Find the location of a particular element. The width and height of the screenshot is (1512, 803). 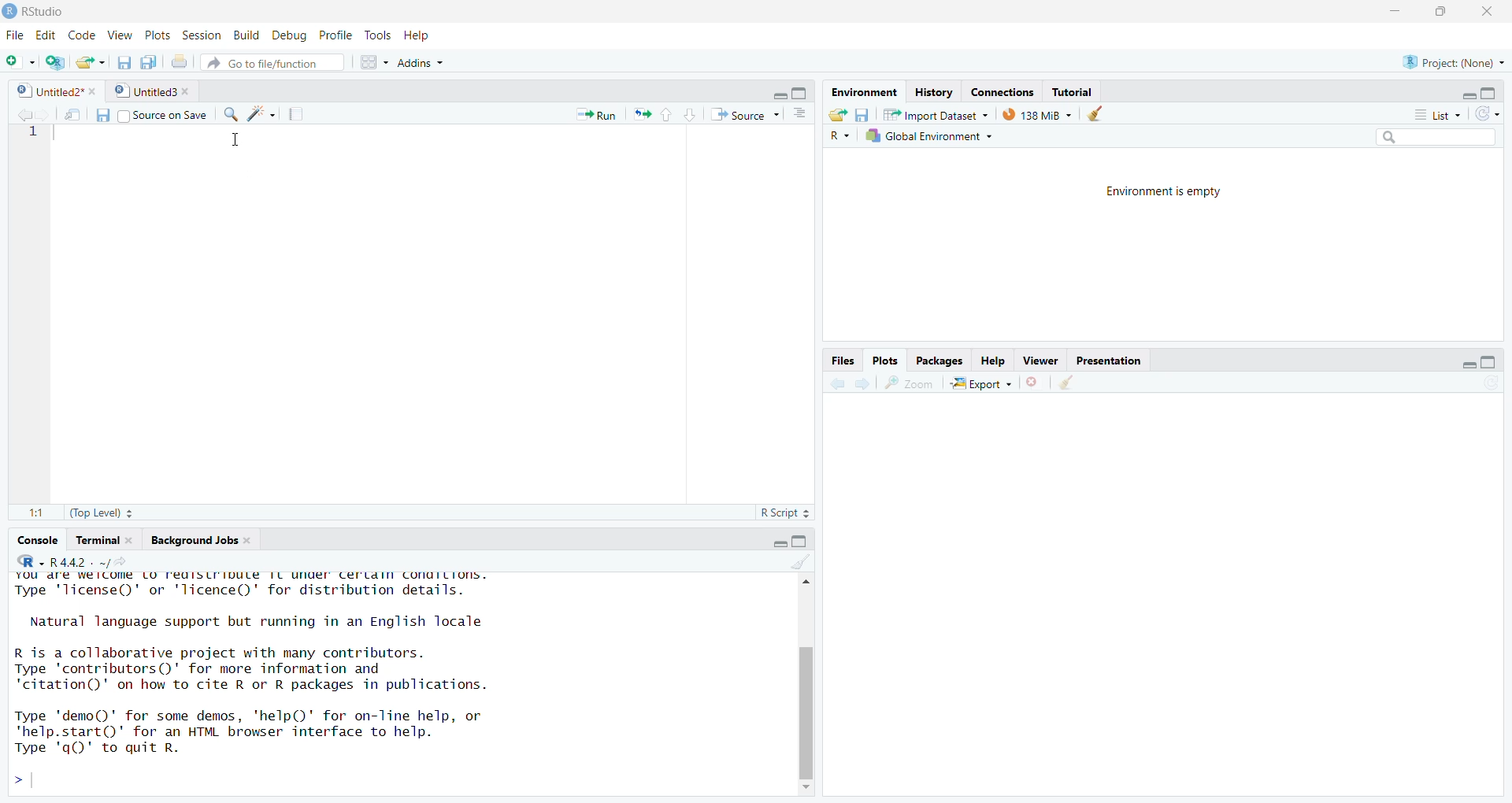

Profile is located at coordinates (336, 32).